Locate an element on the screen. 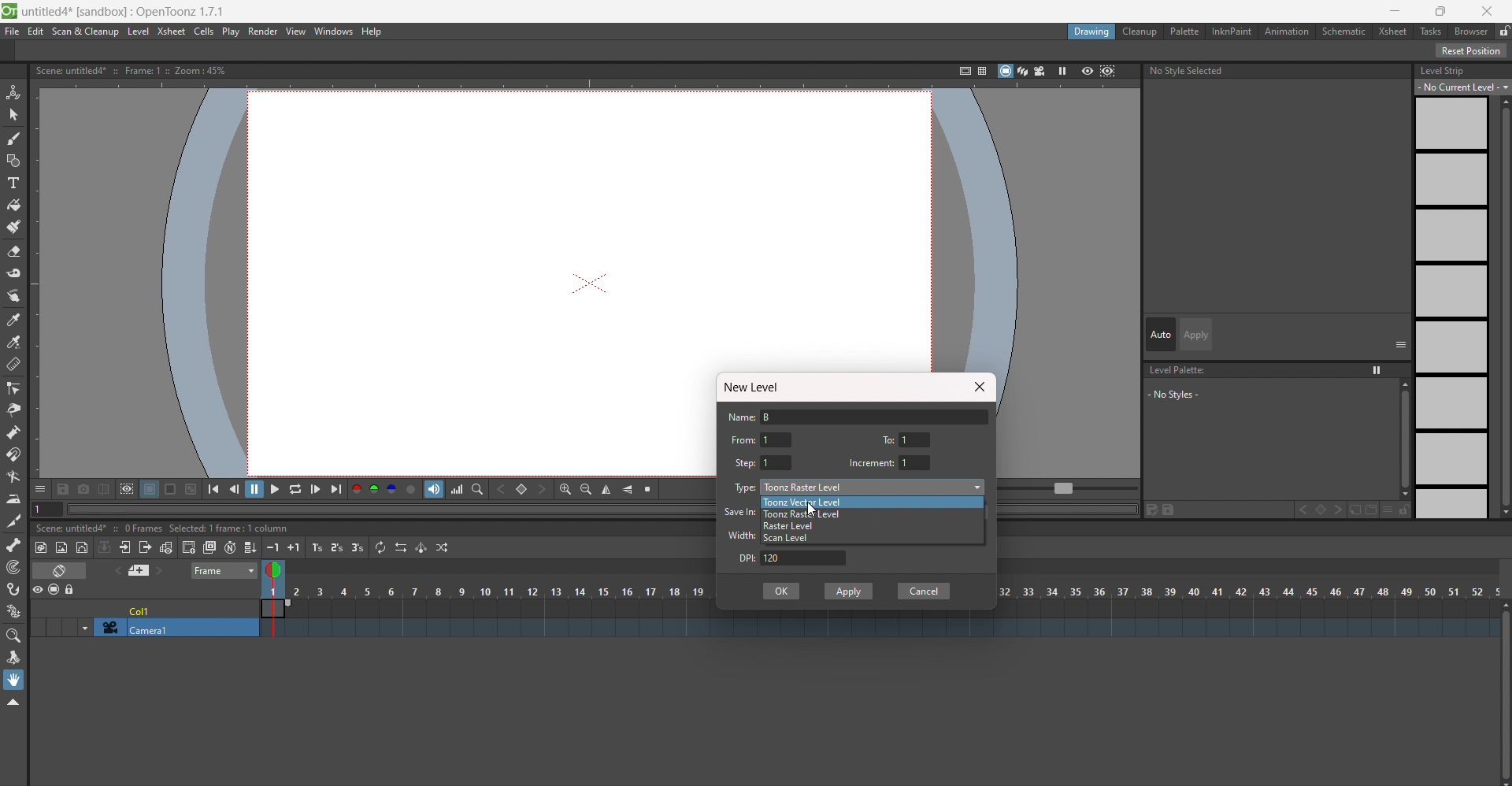  alpha chanel is located at coordinates (412, 488).